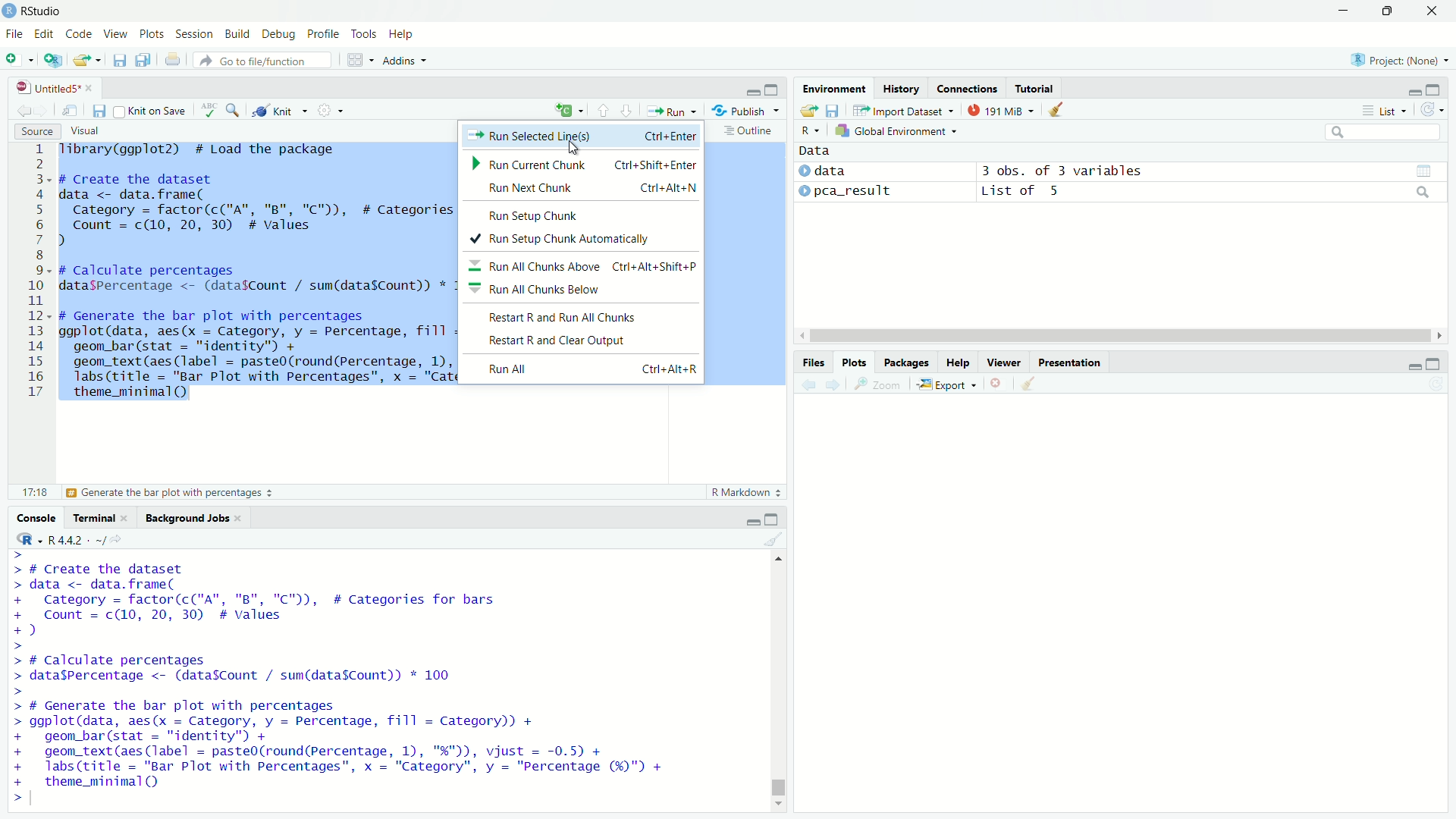 The height and width of the screenshot is (819, 1456). What do you see at coordinates (739, 111) in the screenshot?
I see `publish` at bounding box center [739, 111].